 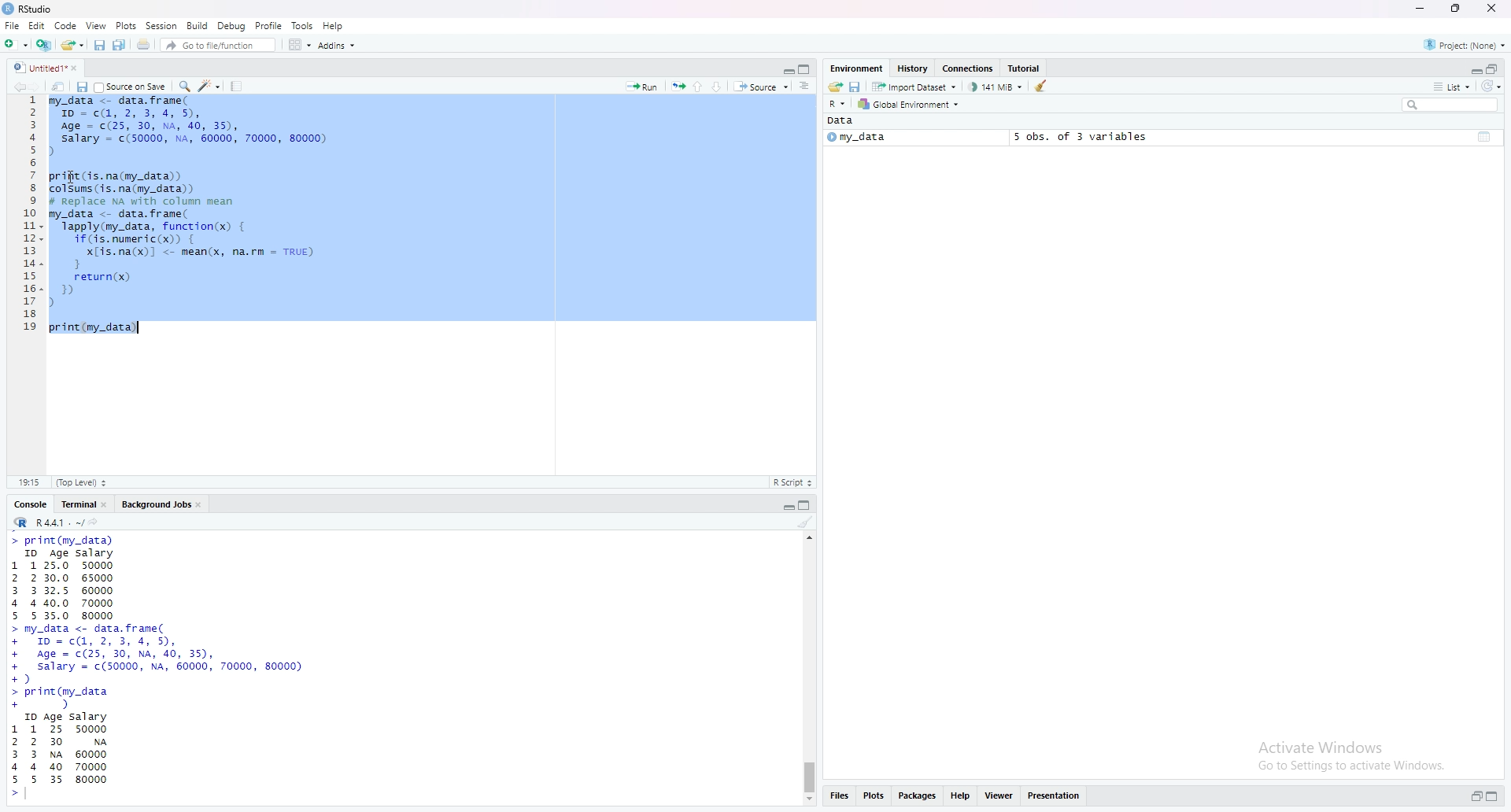 I want to click on save current document, so click(x=98, y=46).